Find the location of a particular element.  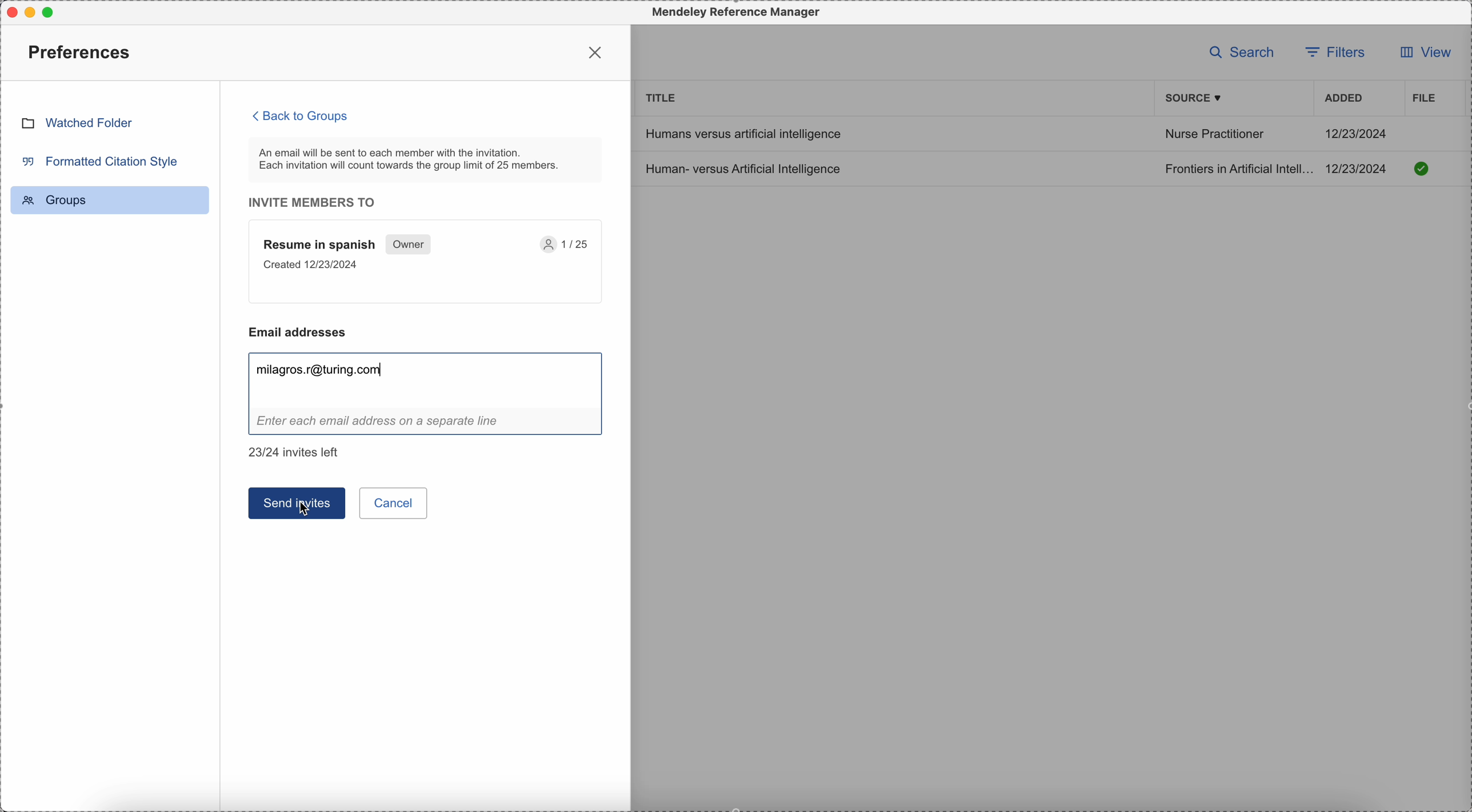

Nurse Practitioner is located at coordinates (1214, 136).